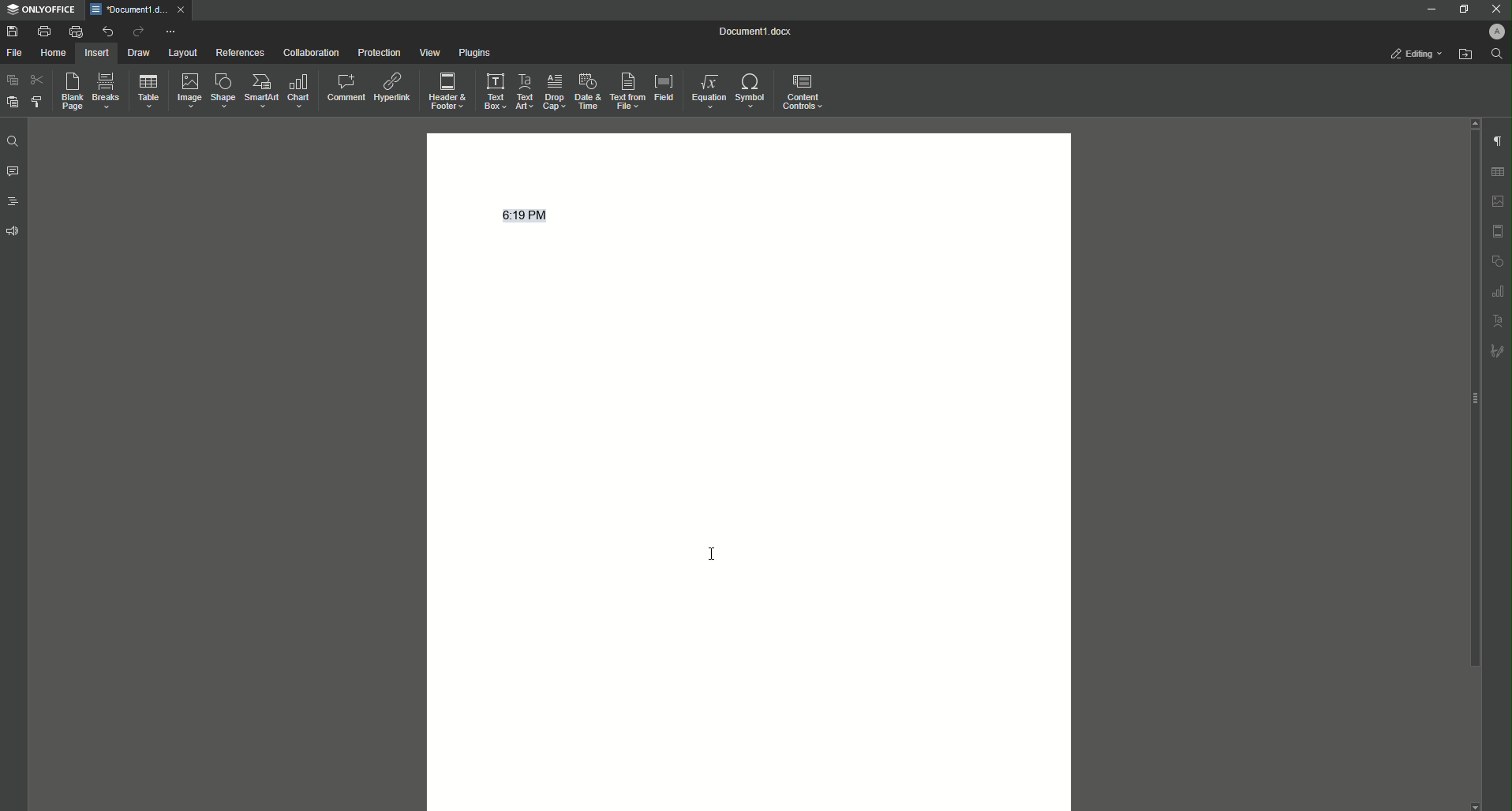  Describe the element at coordinates (806, 91) in the screenshot. I see `Controls` at that location.